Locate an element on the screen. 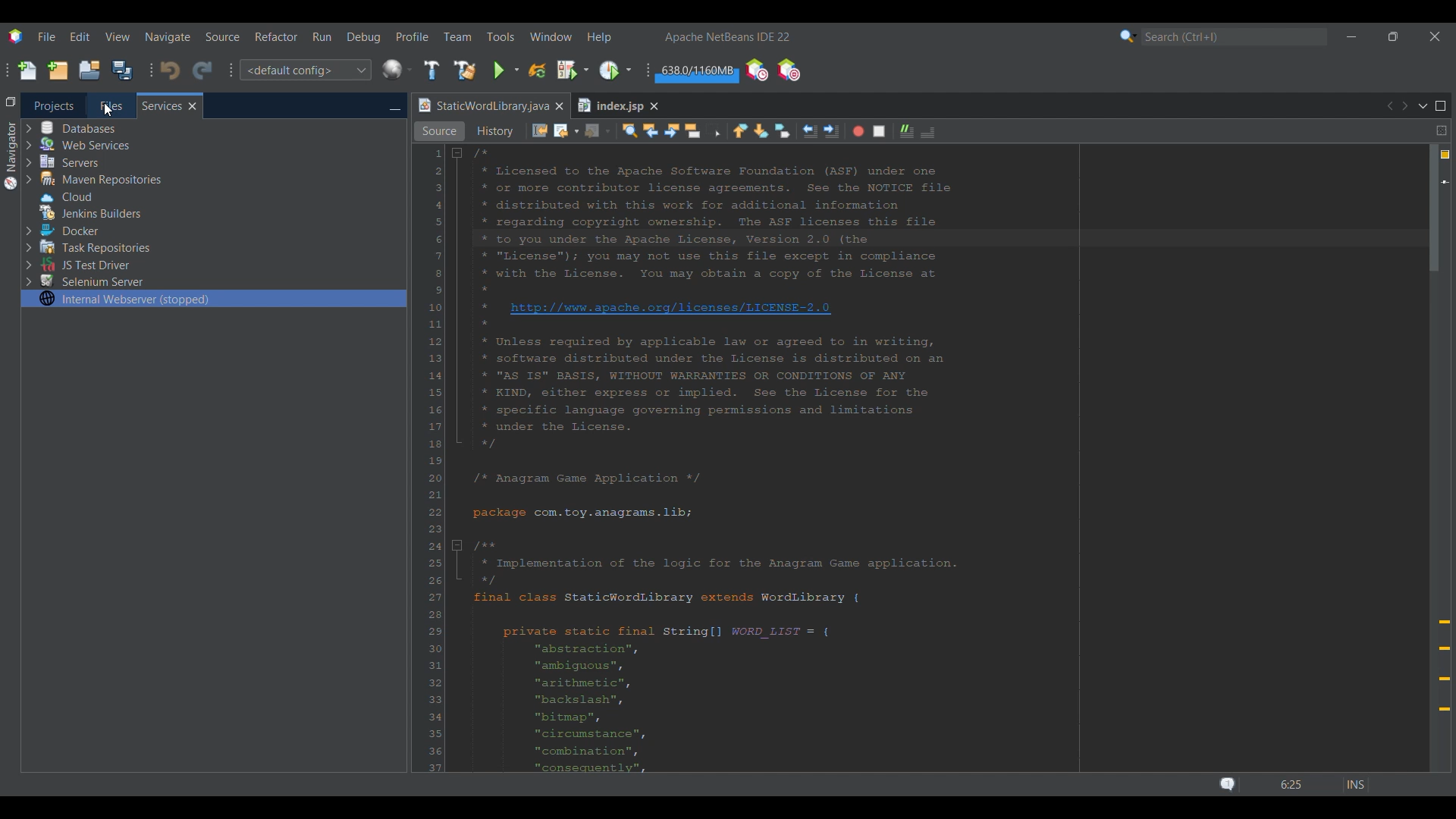 This screenshot has height=819, width=1456. Minimize is located at coordinates (394, 107).